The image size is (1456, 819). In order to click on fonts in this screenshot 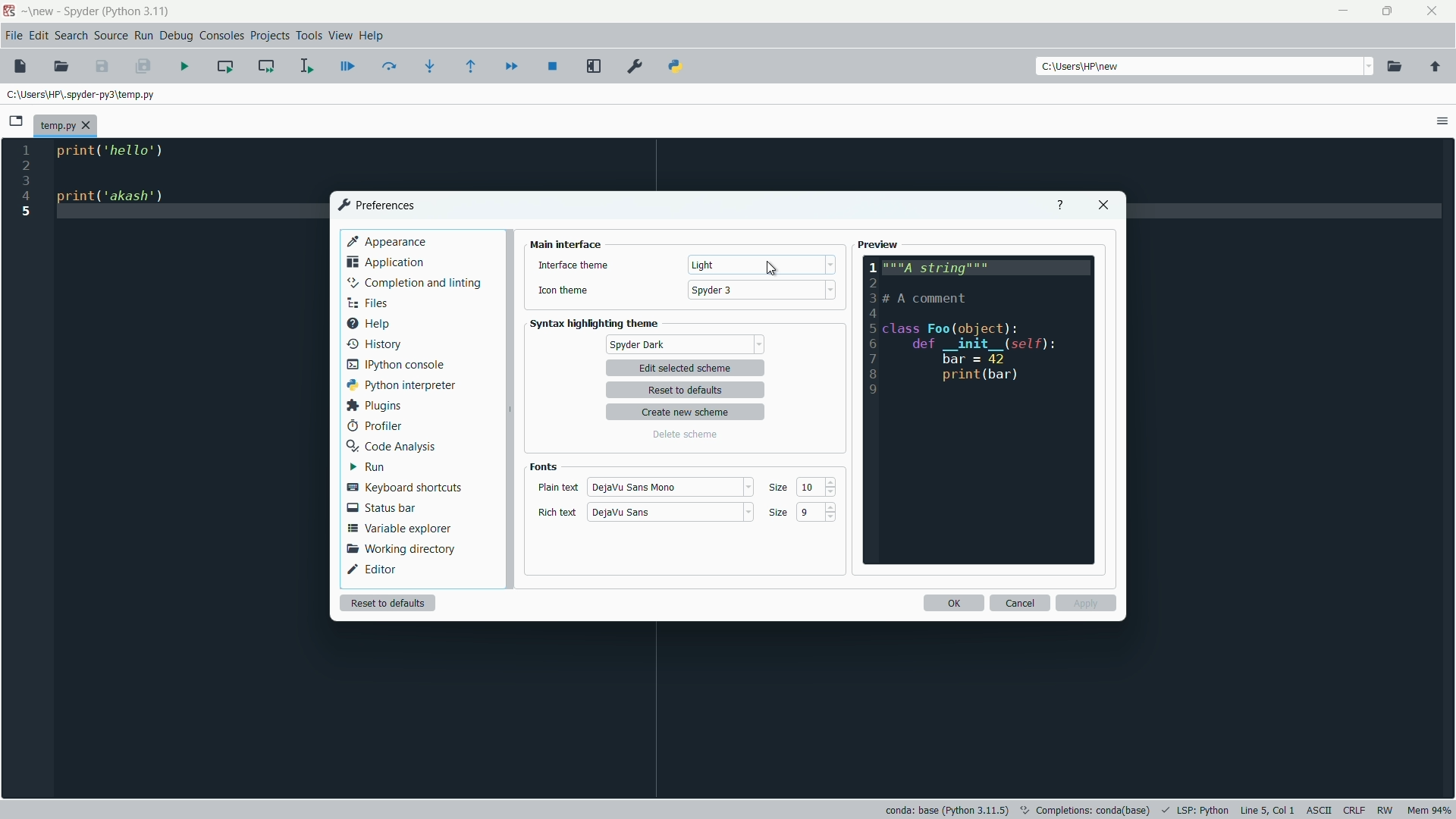, I will do `click(543, 466)`.